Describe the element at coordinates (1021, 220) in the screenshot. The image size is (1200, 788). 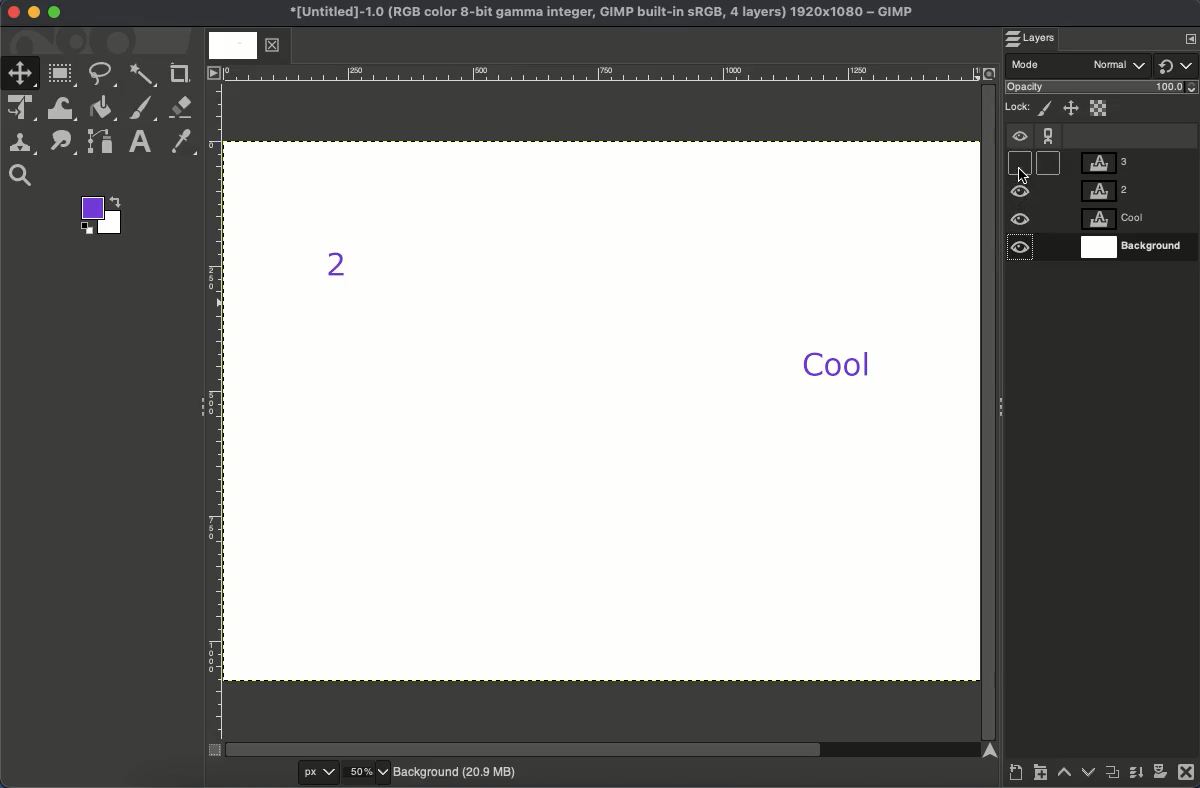
I see `Visible` at that location.